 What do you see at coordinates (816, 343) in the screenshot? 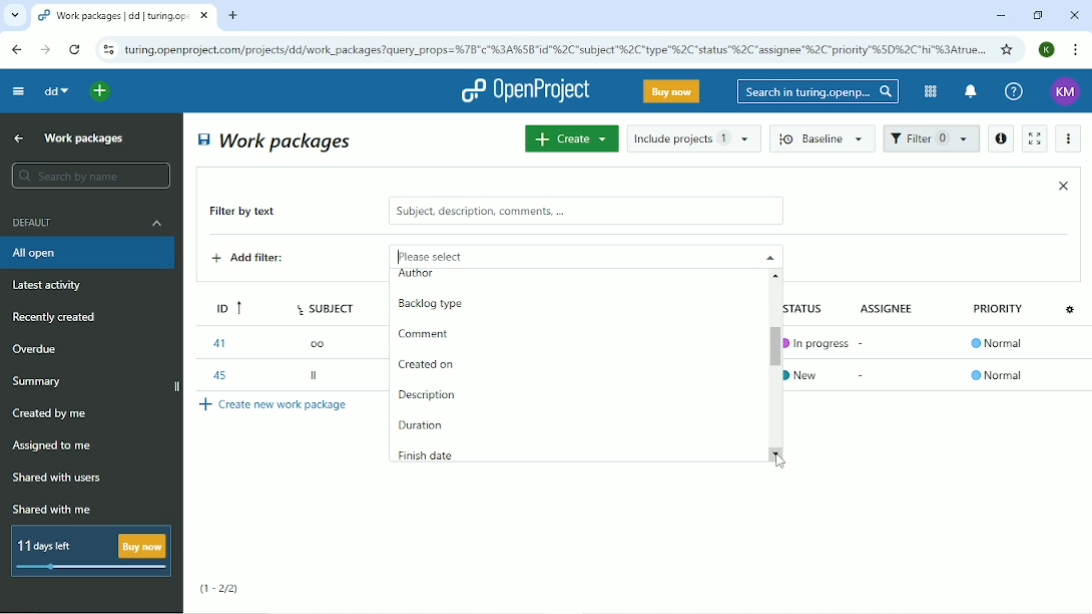
I see `In progress` at bounding box center [816, 343].